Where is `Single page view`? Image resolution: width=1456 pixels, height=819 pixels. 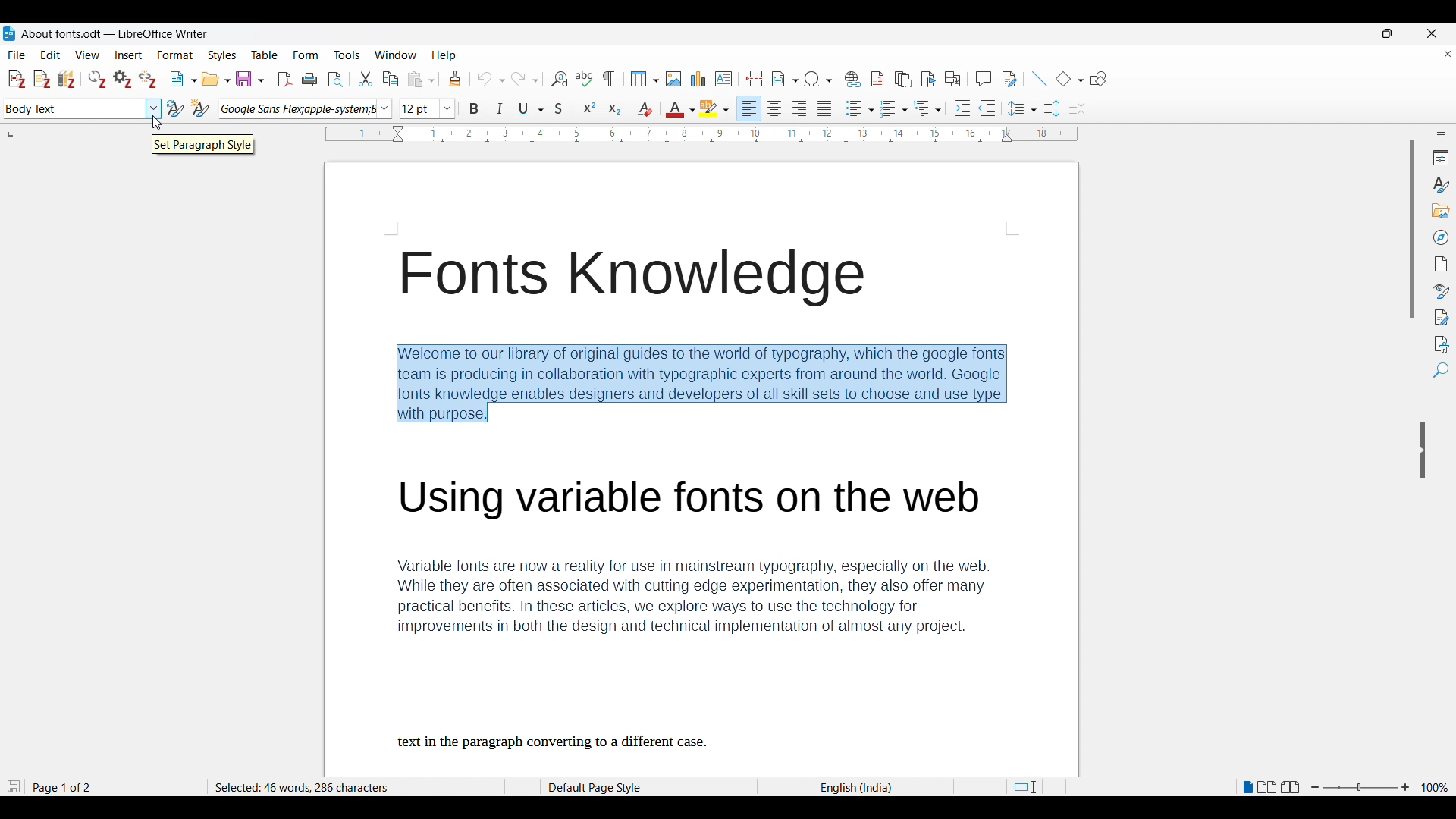
Single page view is located at coordinates (1247, 786).